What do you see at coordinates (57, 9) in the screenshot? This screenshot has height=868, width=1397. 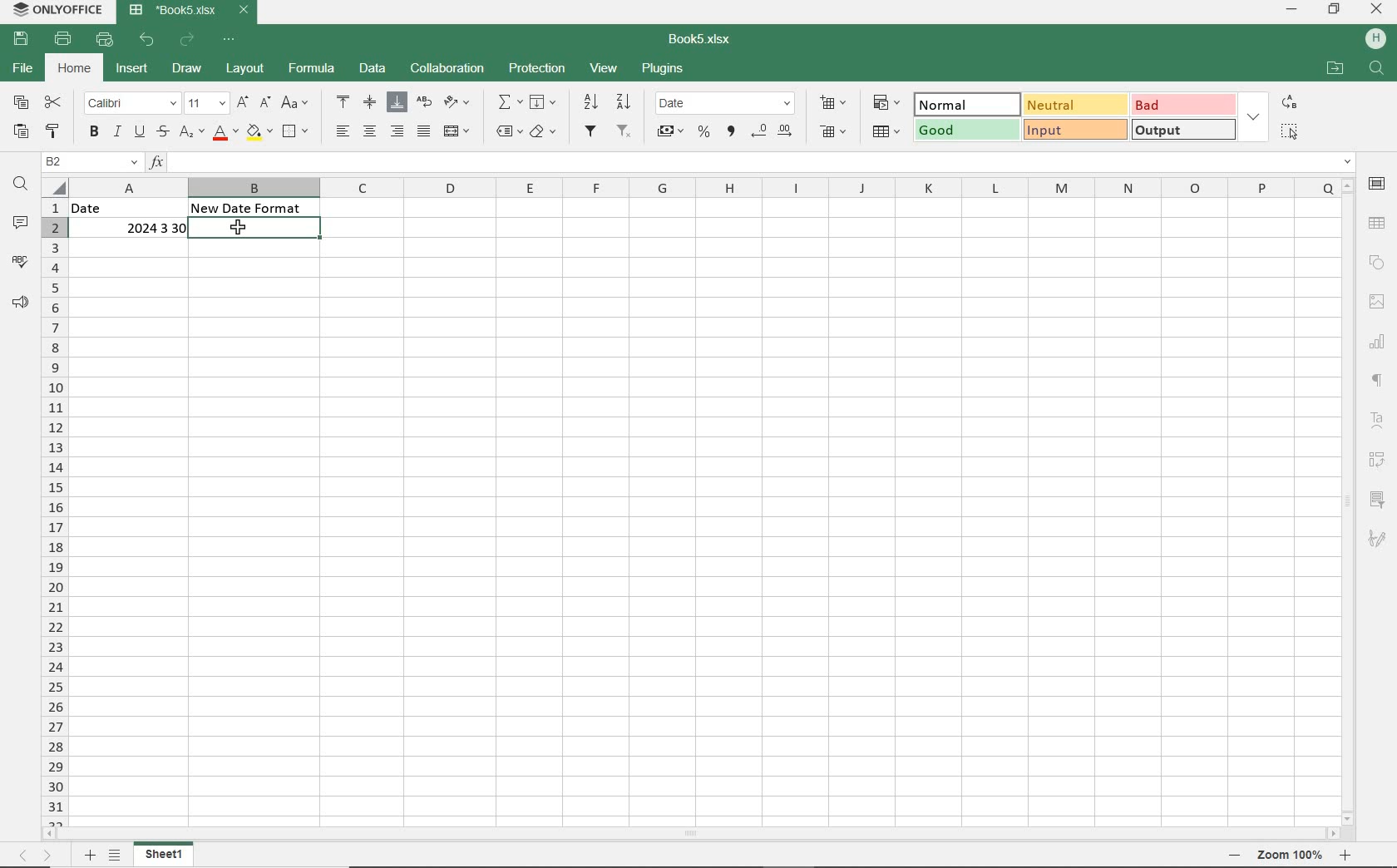 I see `SYSTEM NAME` at bounding box center [57, 9].